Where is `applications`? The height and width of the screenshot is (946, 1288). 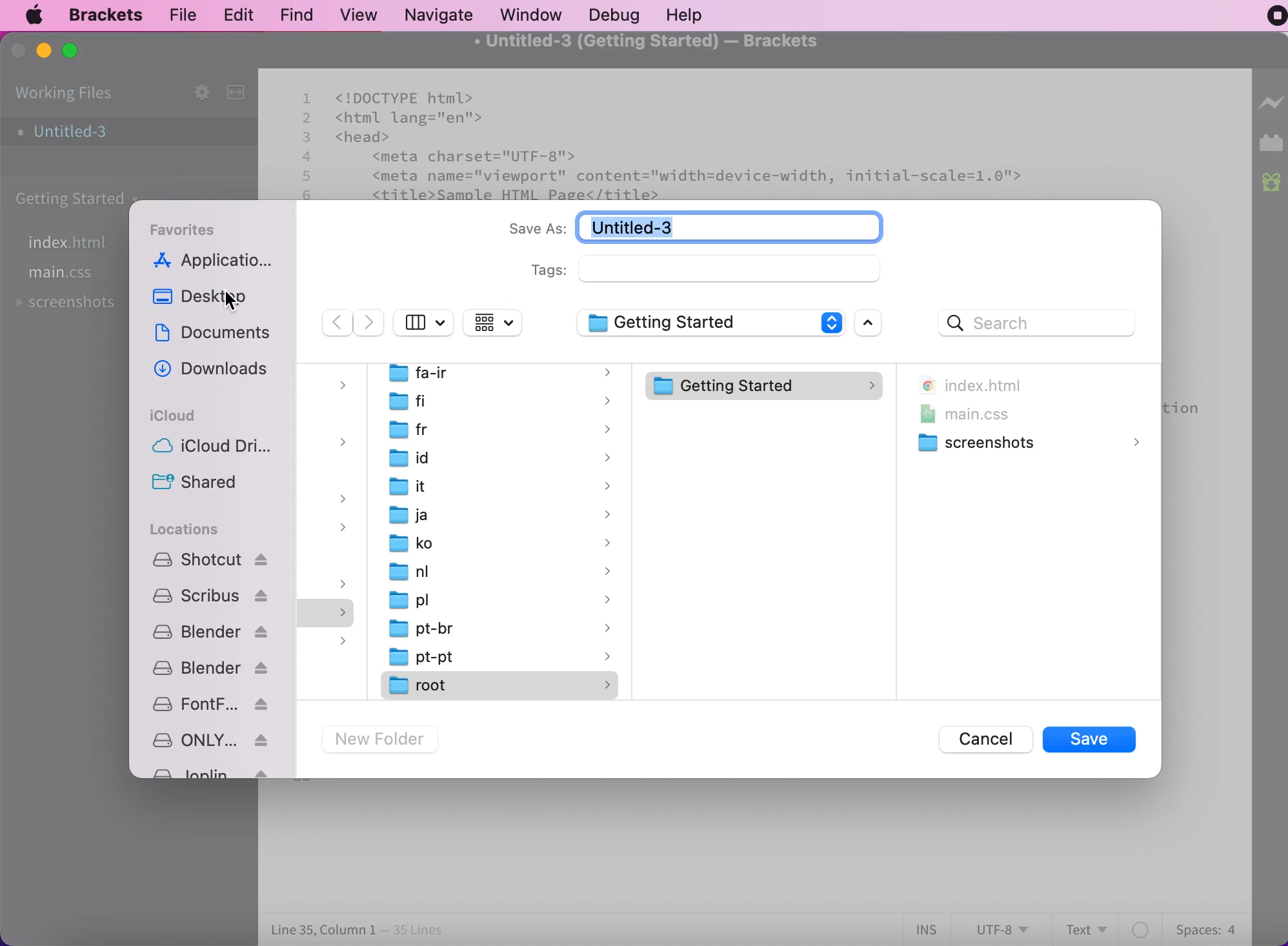 applications is located at coordinates (220, 262).